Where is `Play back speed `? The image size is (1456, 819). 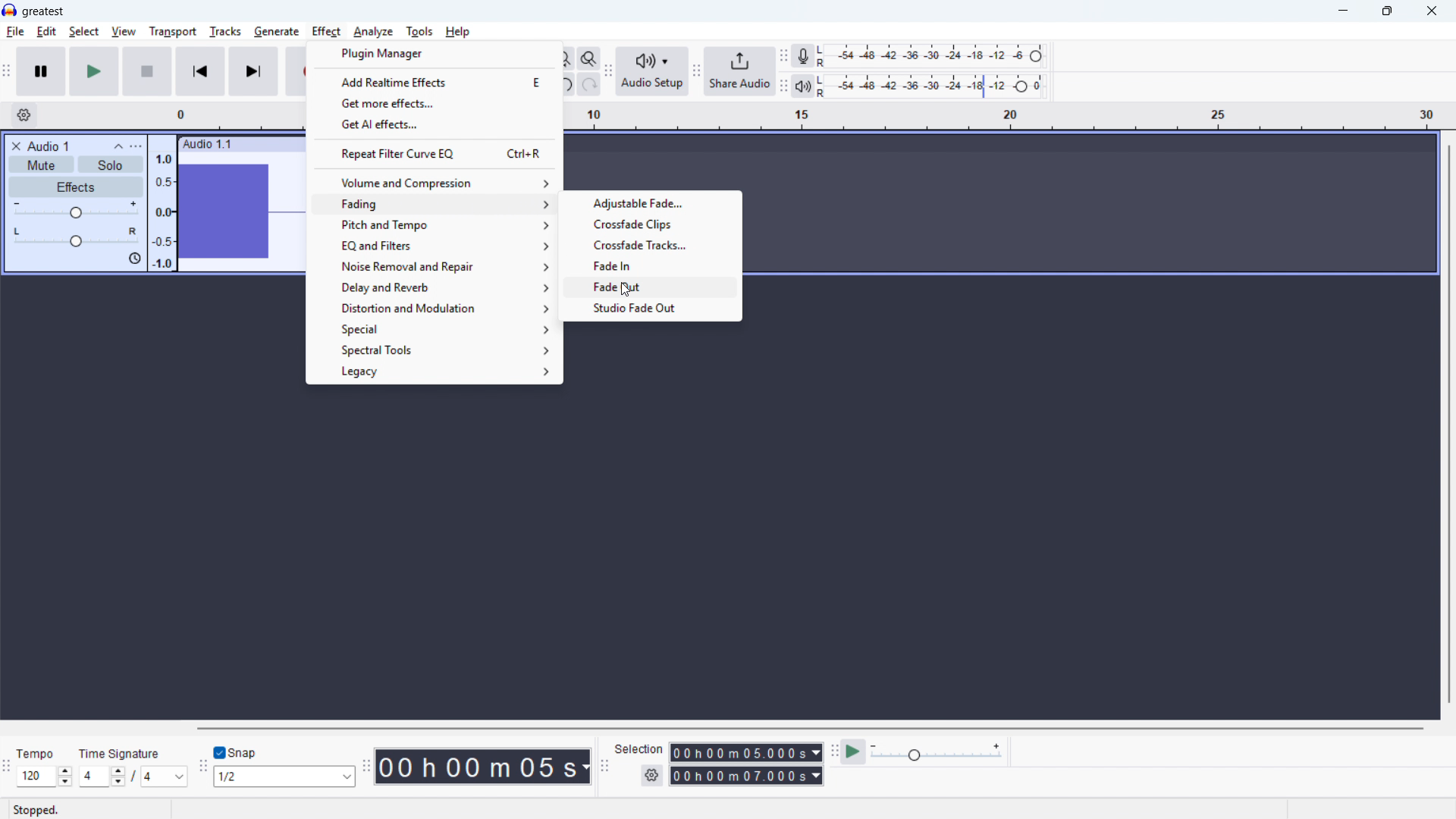
Play back speed  is located at coordinates (939, 752).